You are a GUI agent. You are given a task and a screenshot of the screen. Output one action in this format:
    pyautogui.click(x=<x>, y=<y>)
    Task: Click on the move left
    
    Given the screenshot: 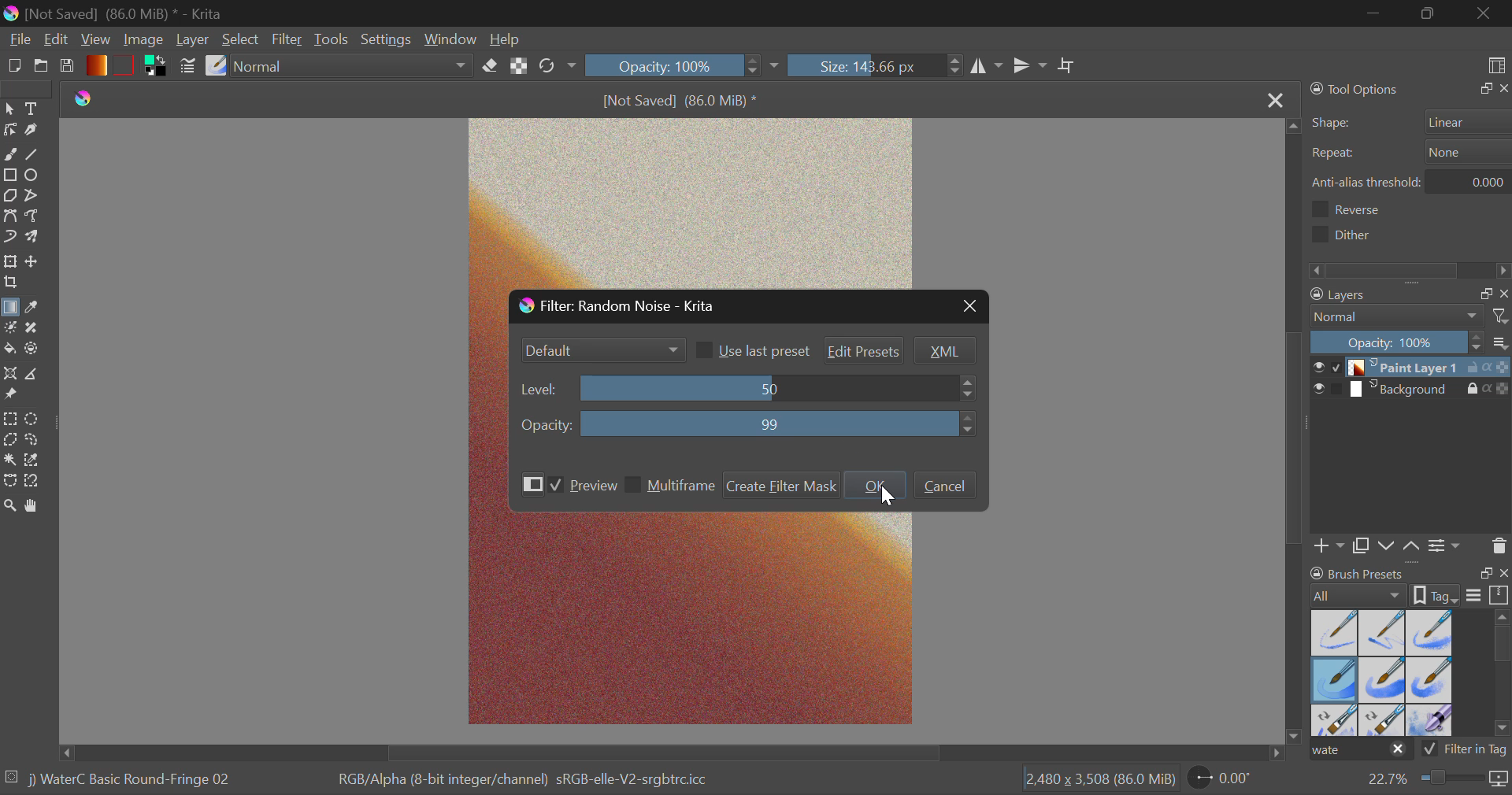 What is the action you would take?
    pyautogui.click(x=61, y=749)
    